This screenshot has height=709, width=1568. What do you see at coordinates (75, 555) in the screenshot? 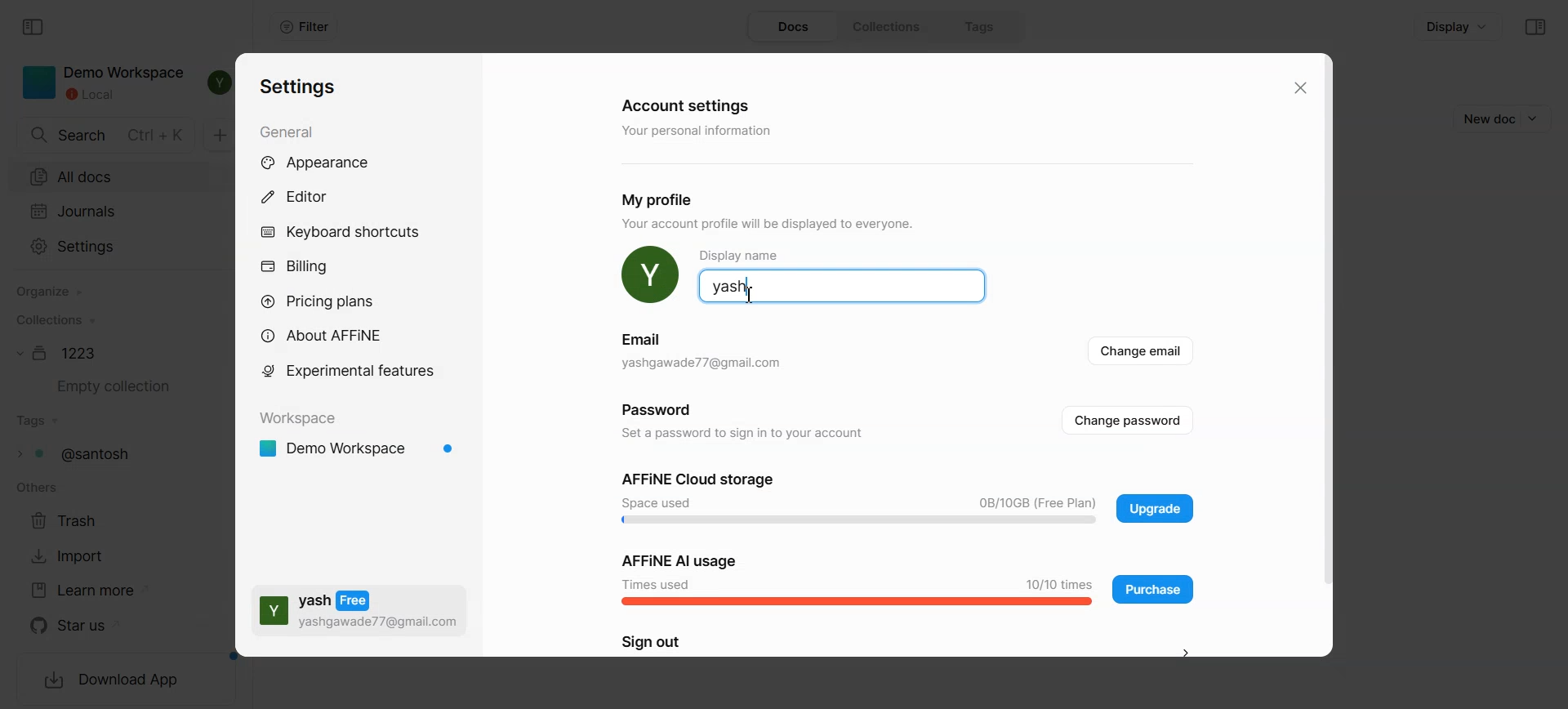
I see `Import` at bounding box center [75, 555].